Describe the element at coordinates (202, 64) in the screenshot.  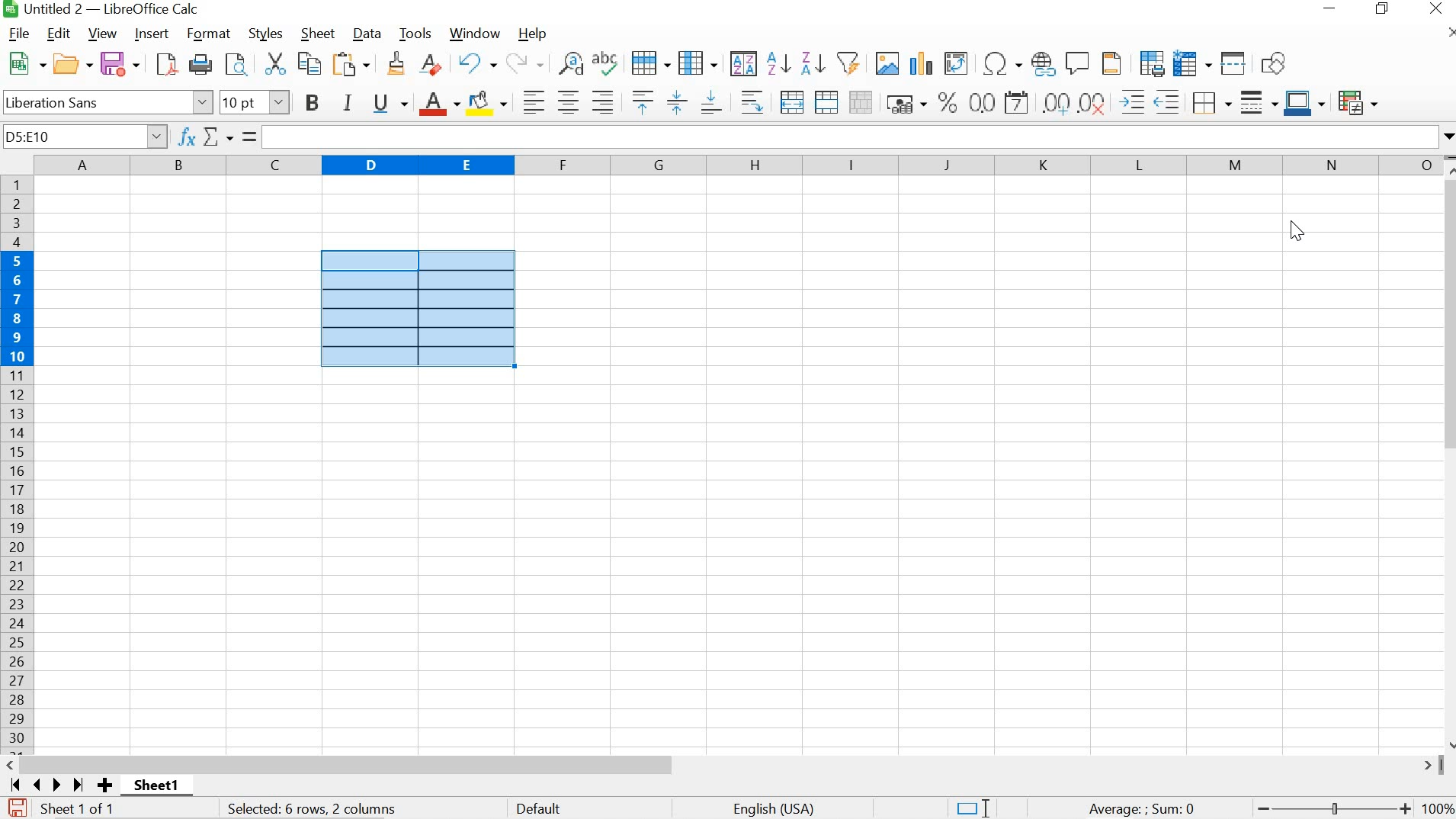
I see `PRINT` at that location.